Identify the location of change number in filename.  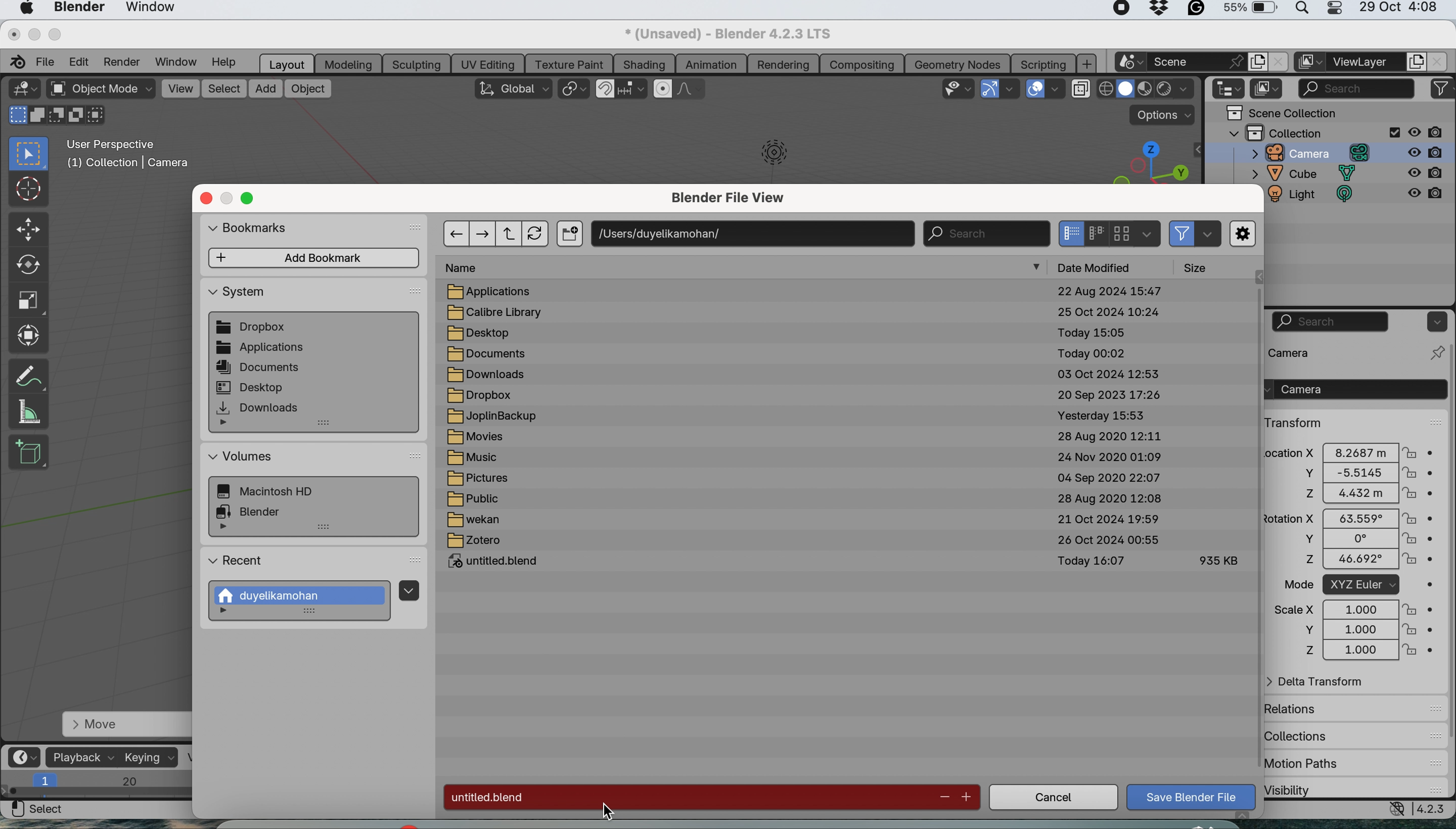
(955, 797).